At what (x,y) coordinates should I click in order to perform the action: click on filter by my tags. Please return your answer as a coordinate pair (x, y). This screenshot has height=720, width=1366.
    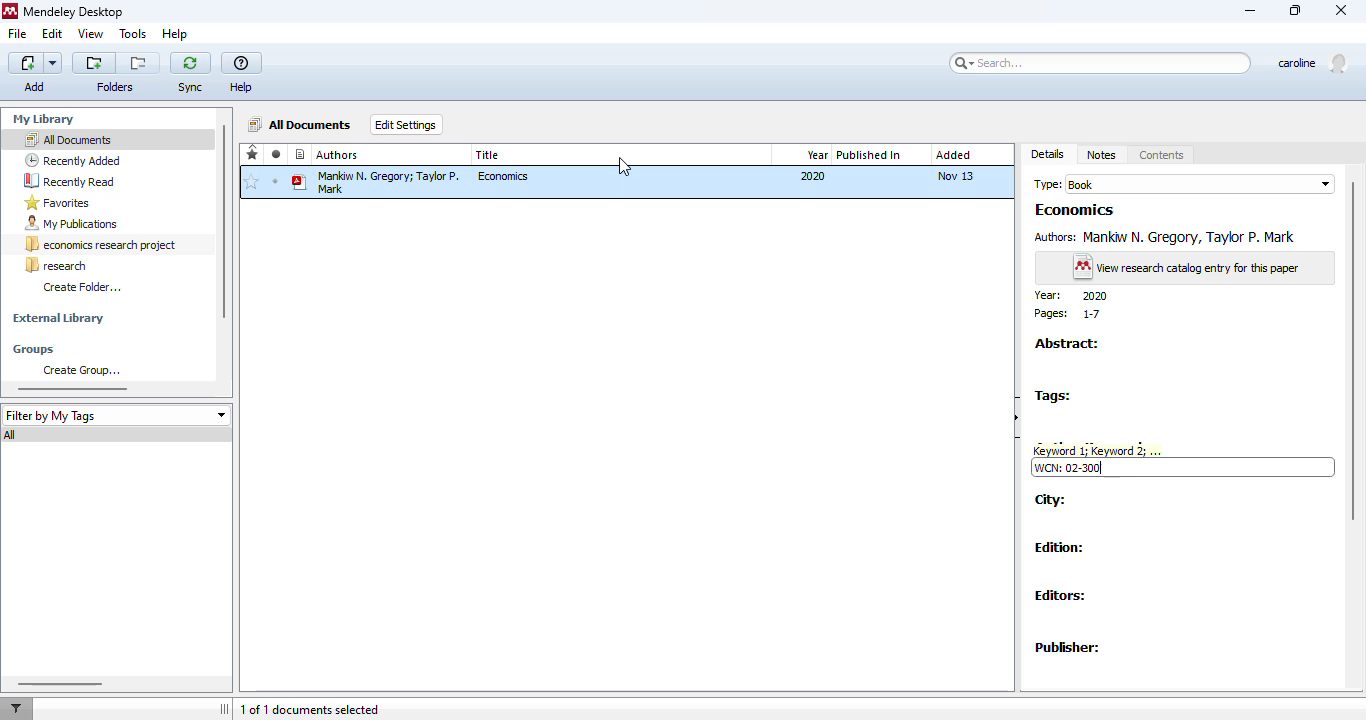
    Looking at the image, I should click on (116, 416).